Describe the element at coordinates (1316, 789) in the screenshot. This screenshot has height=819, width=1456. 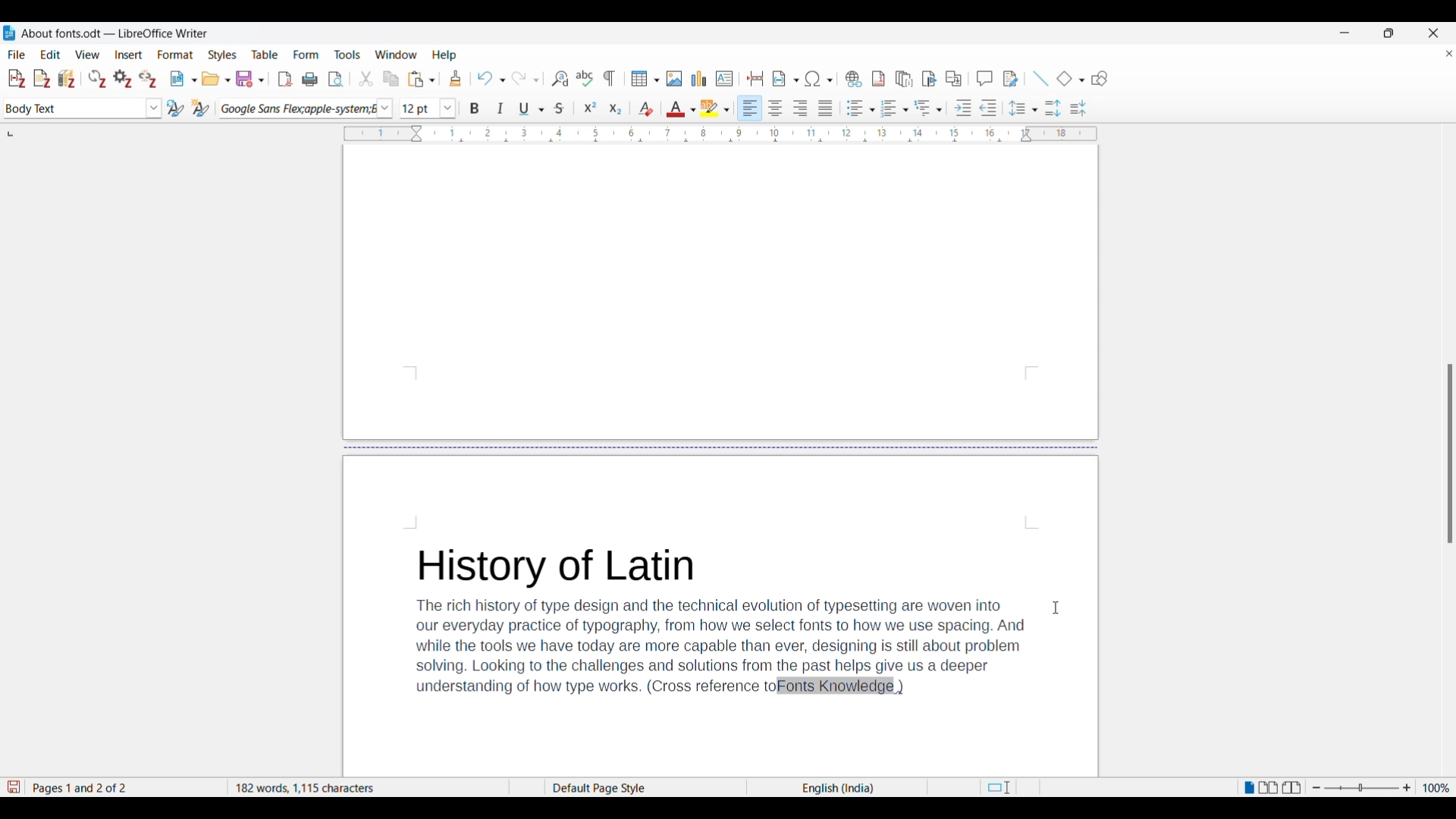
I see `Zoom out` at that location.